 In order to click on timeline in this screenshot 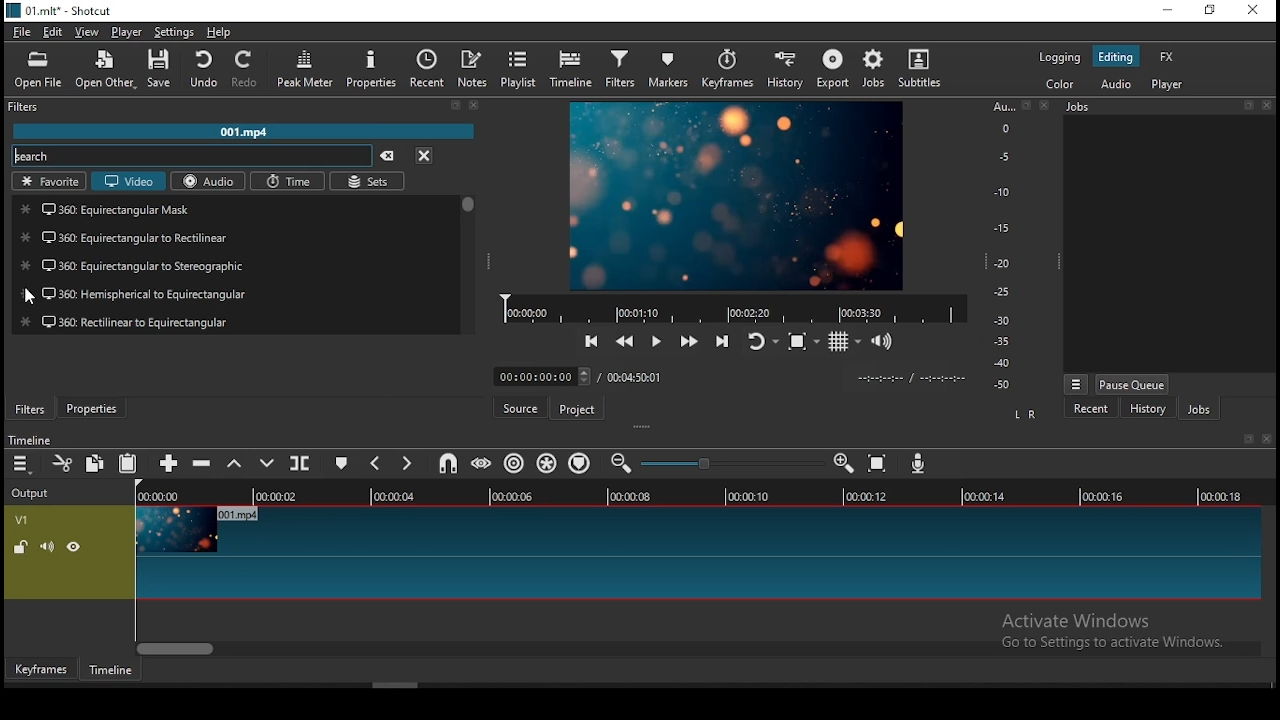, I will do `click(737, 308)`.